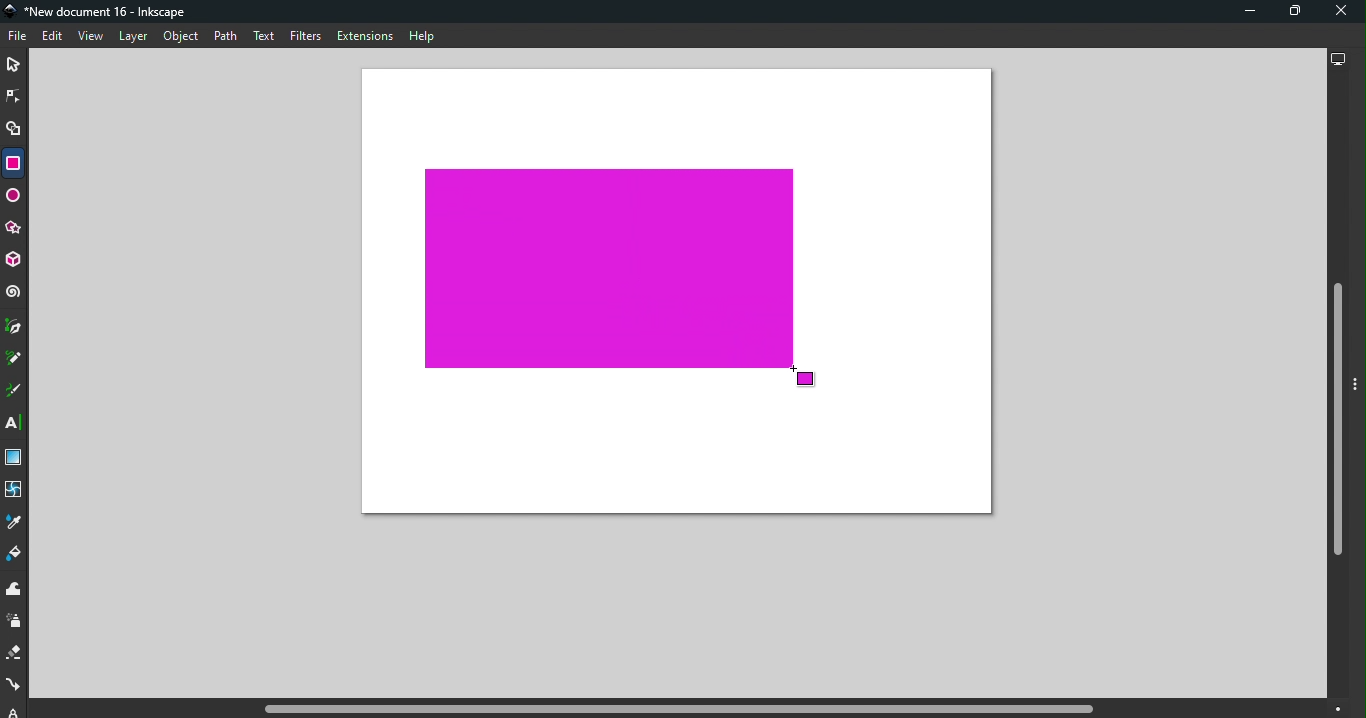  What do you see at coordinates (15, 262) in the screenshot?
I see `3D box tool` at bounding box center [15, 262].